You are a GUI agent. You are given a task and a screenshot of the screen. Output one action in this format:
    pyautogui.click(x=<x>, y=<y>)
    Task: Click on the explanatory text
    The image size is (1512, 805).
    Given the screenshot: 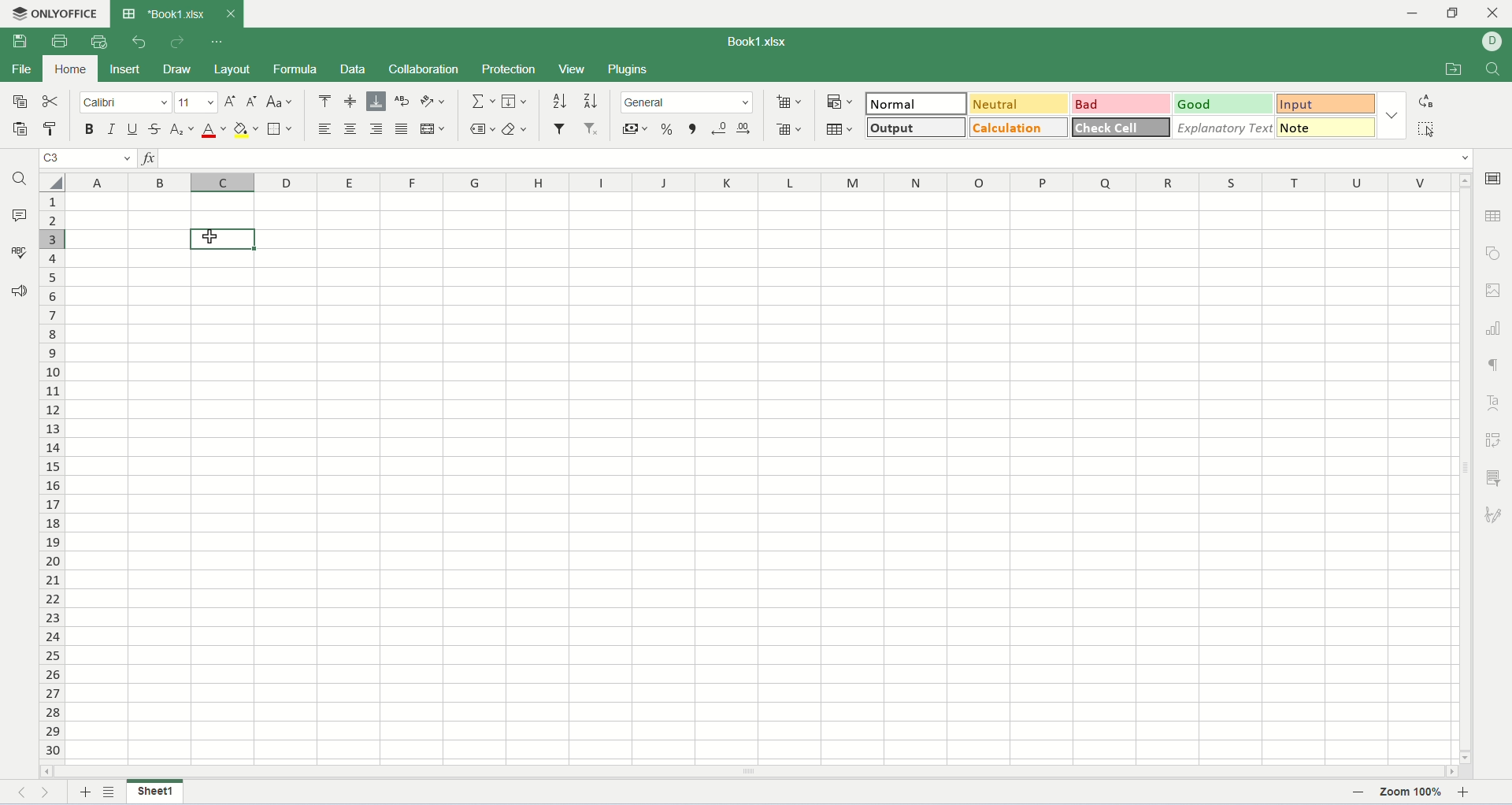 What is the action you would take?
    pyautogui.click(x=1222, y=128)
    